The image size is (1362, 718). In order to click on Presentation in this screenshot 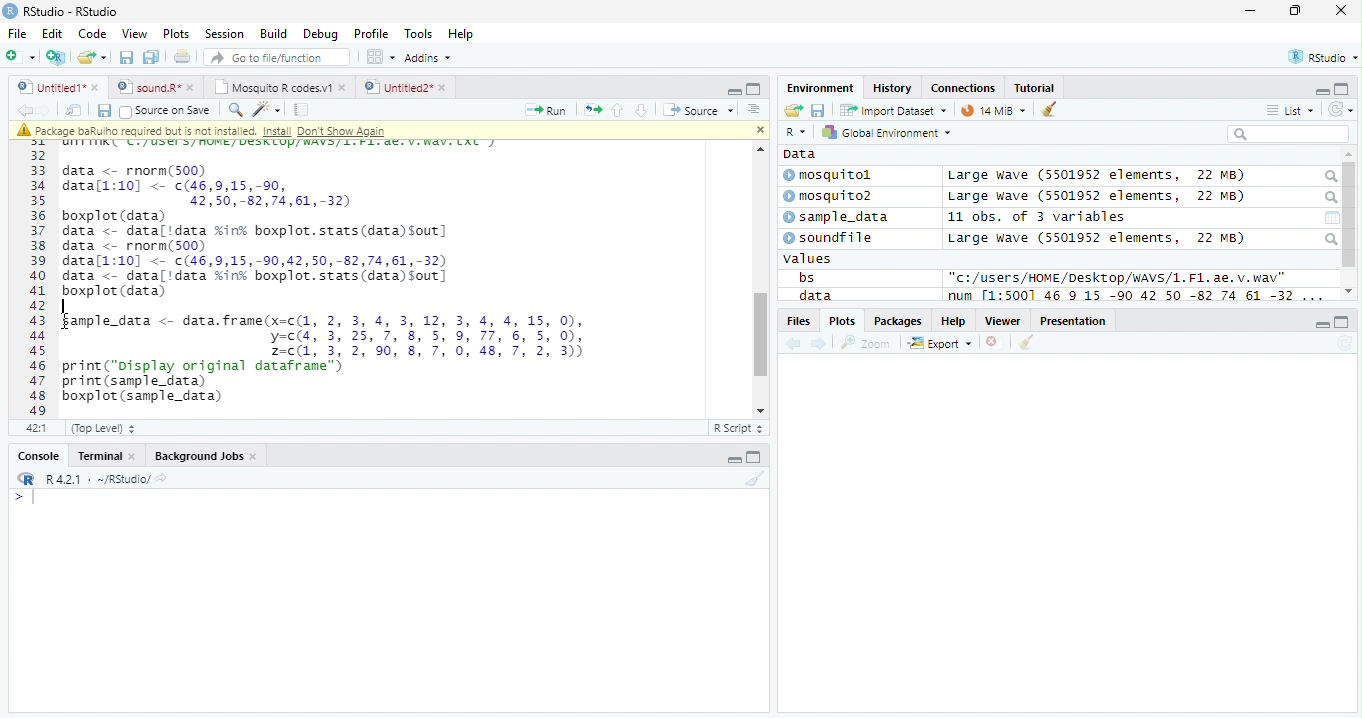, I will do `click(1073, 320)`.